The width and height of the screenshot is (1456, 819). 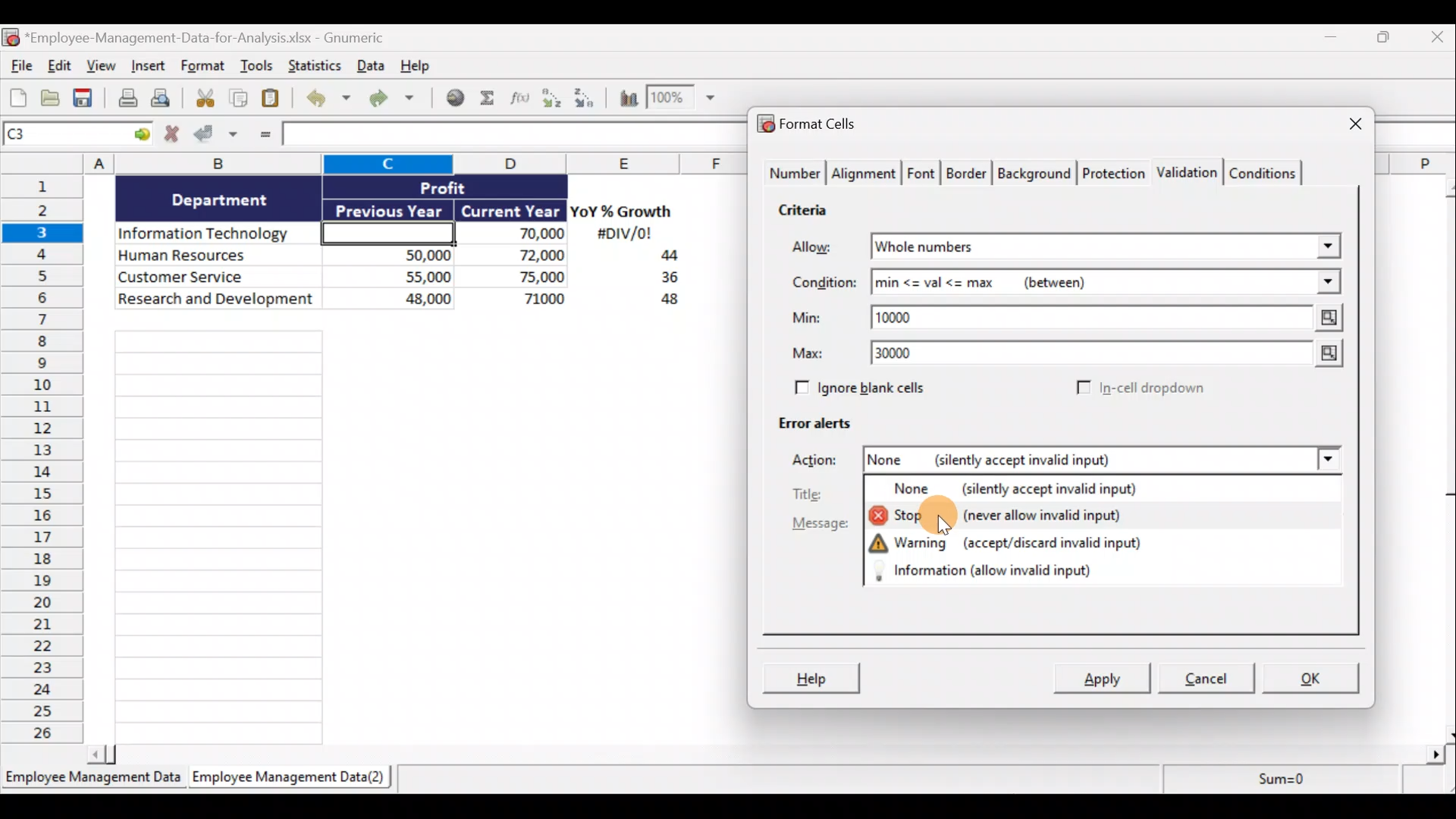 I want to click on Information (allow invalid input), so click(x=1000, y=570).